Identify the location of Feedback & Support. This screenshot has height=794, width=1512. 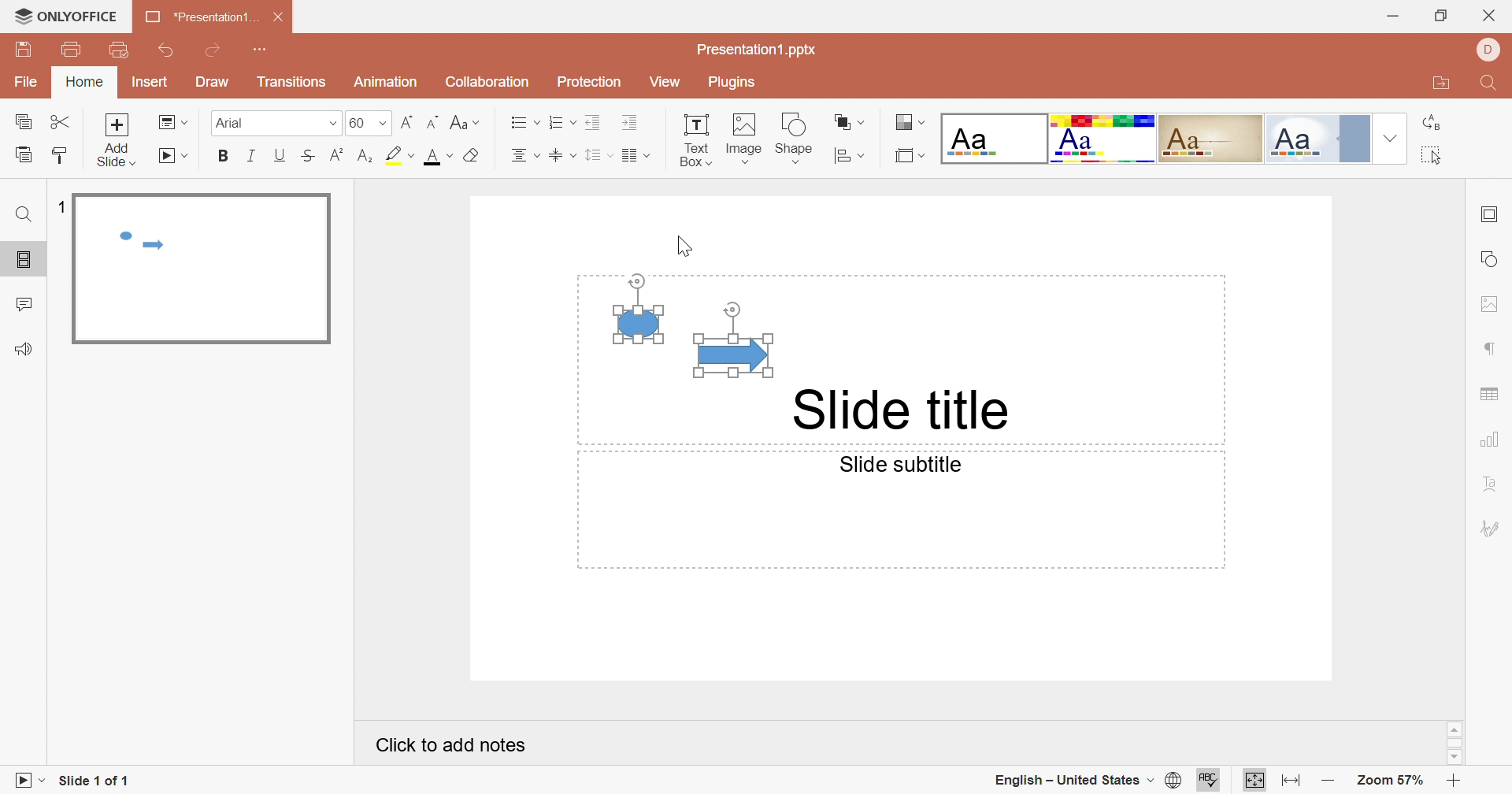
(26, 351).